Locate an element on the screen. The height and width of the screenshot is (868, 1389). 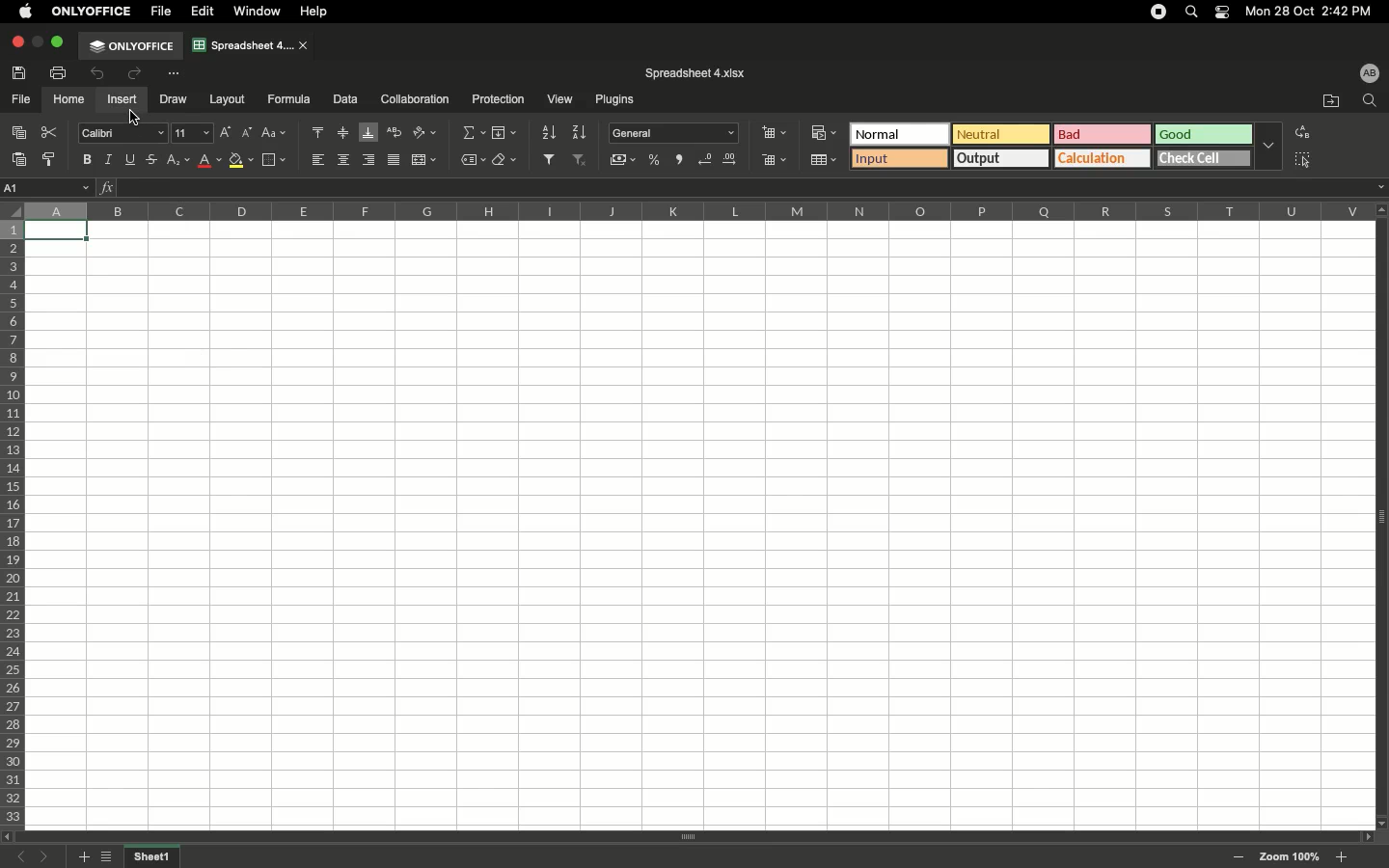
File name is located at coordinates (695, 73).